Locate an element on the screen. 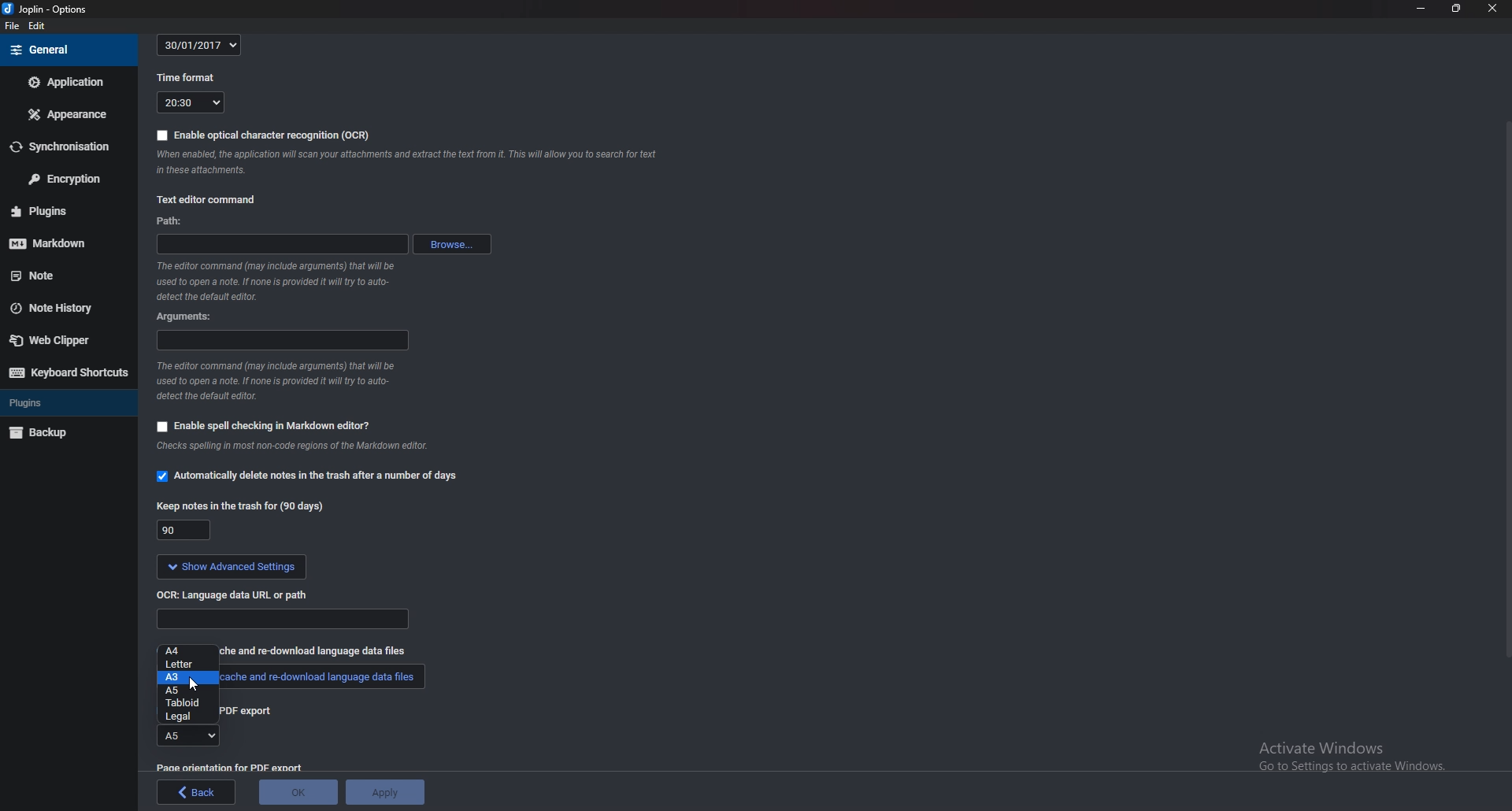 The width and height of the screenshot is (1512, 811). show advanced settings is located at coordinates (233, 567).